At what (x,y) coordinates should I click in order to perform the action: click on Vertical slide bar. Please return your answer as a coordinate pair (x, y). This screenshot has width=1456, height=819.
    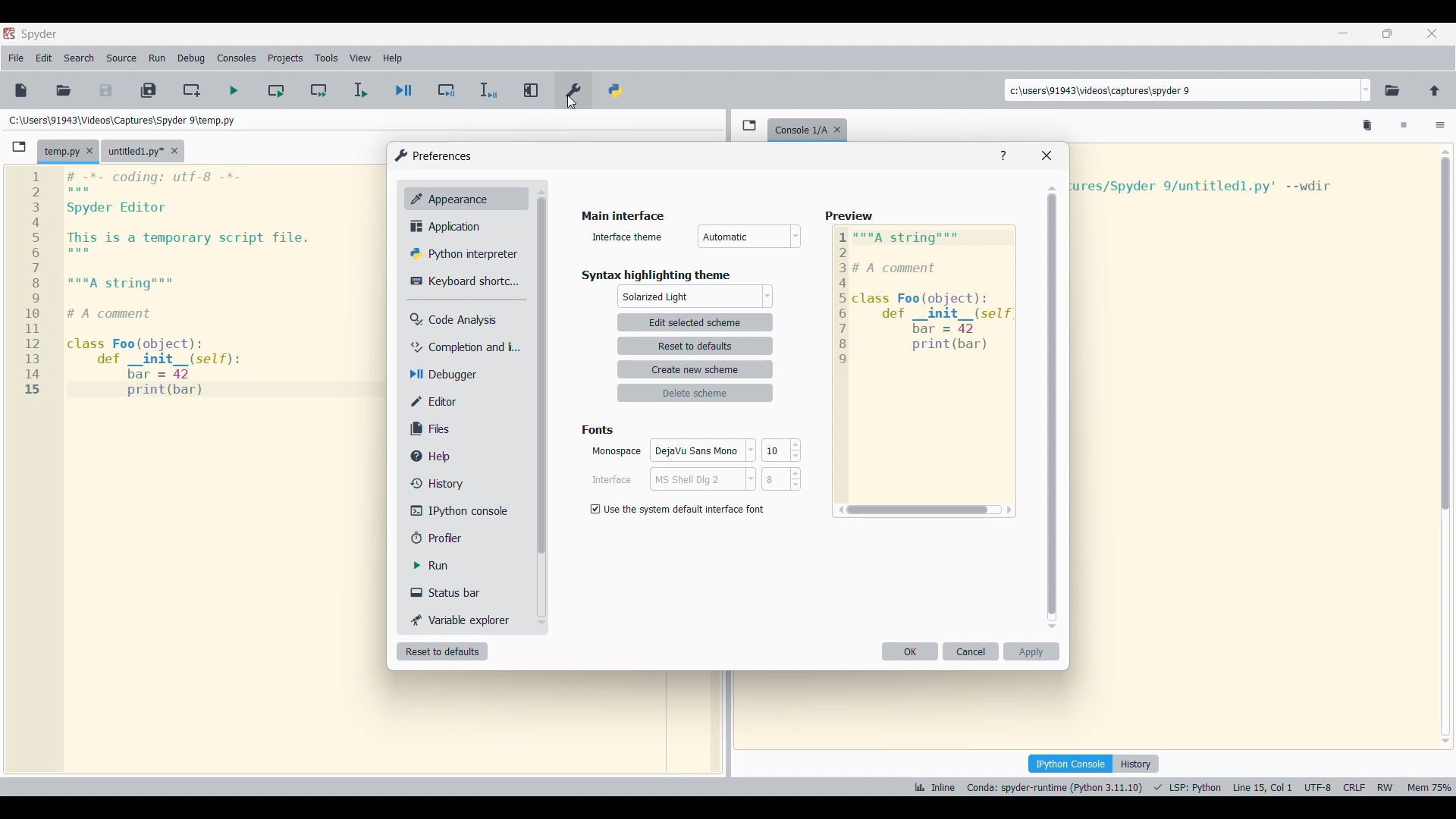
    Looking at the image, I should click on (1446, 445).